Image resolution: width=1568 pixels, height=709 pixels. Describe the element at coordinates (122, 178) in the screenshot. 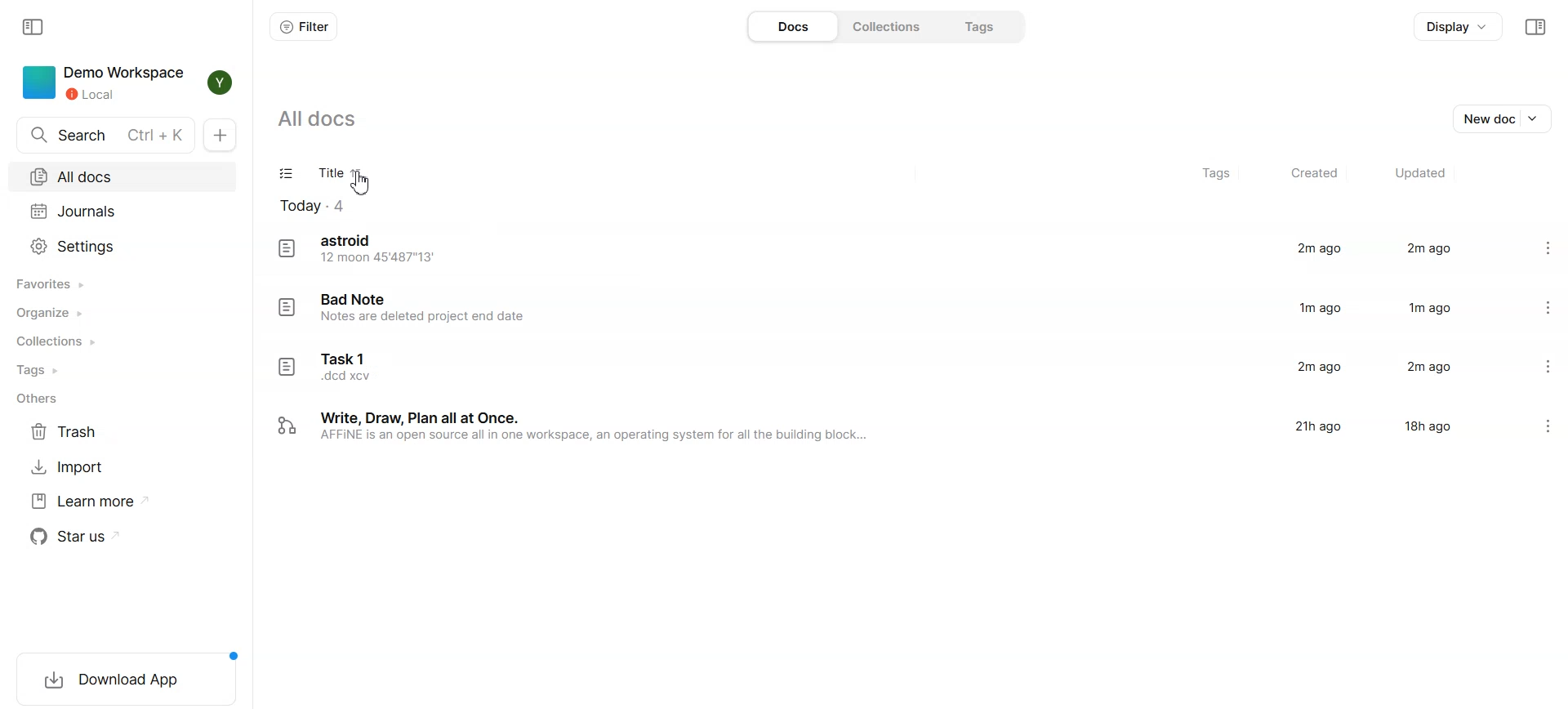

I see `All docs` at that location.